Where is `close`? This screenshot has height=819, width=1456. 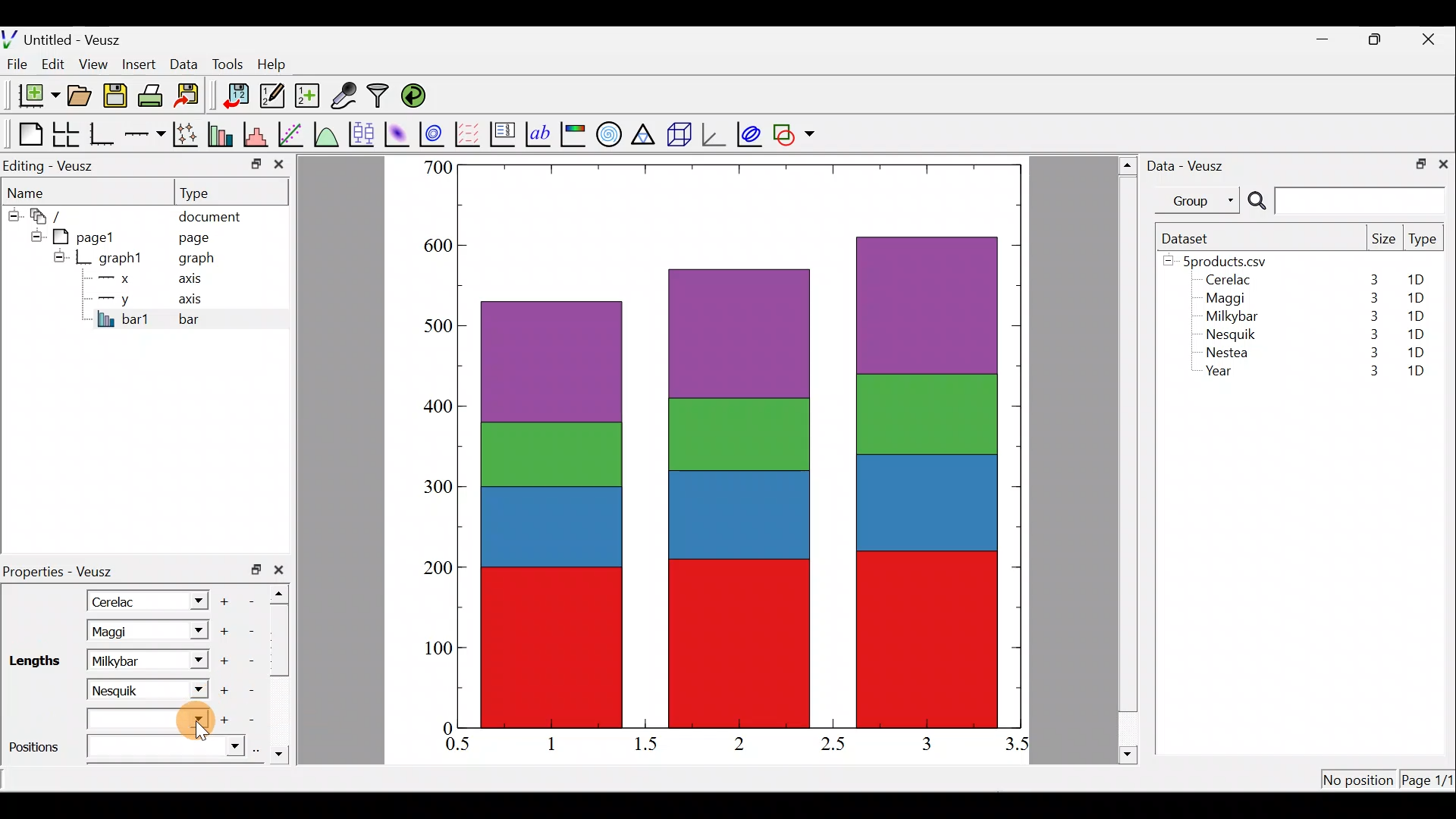
close is located at coordinates (282, 570).